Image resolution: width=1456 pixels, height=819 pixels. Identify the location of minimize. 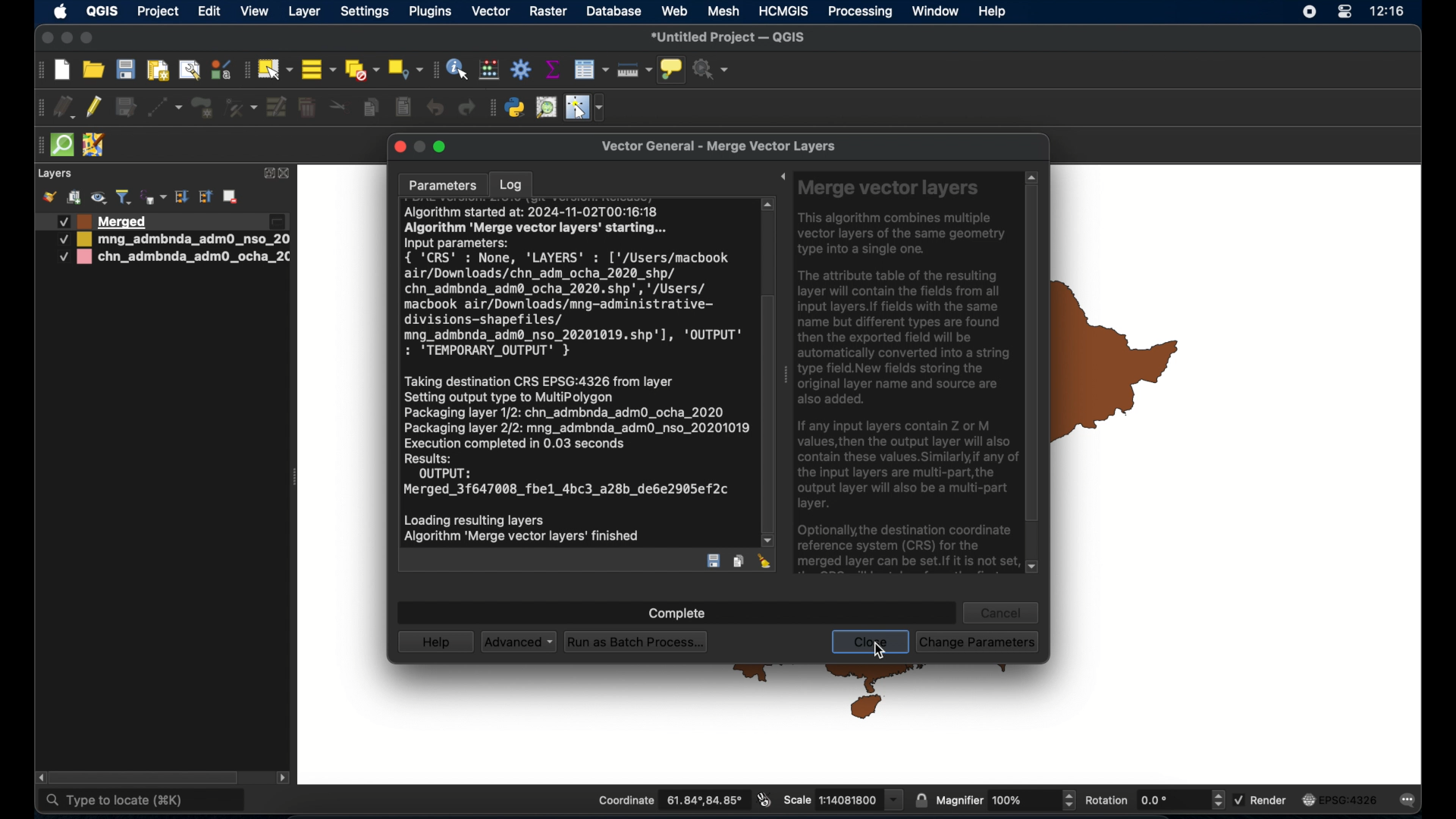
(66, 39).